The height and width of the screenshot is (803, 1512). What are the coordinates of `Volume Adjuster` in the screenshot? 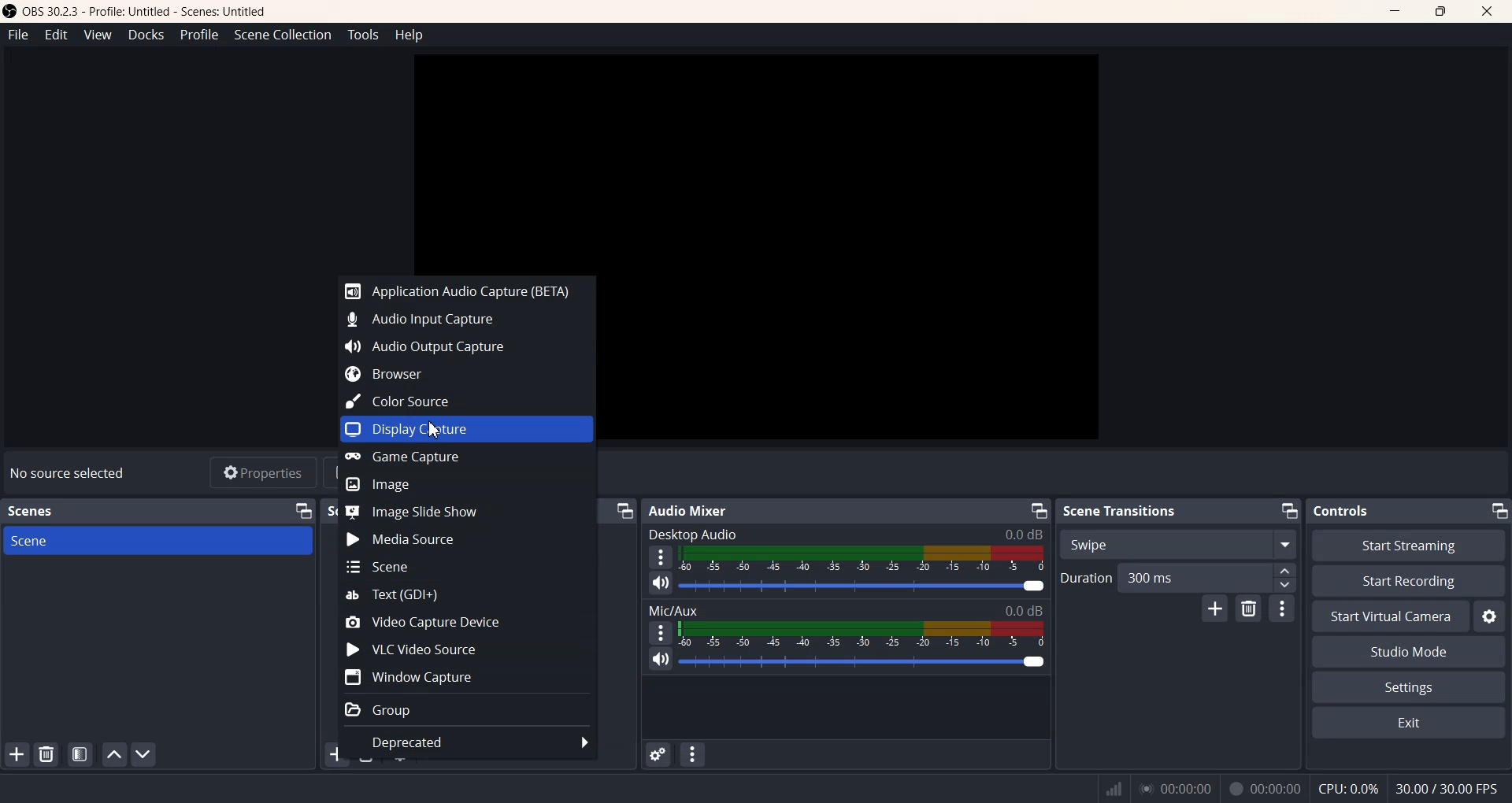 It's located at (861, 662).